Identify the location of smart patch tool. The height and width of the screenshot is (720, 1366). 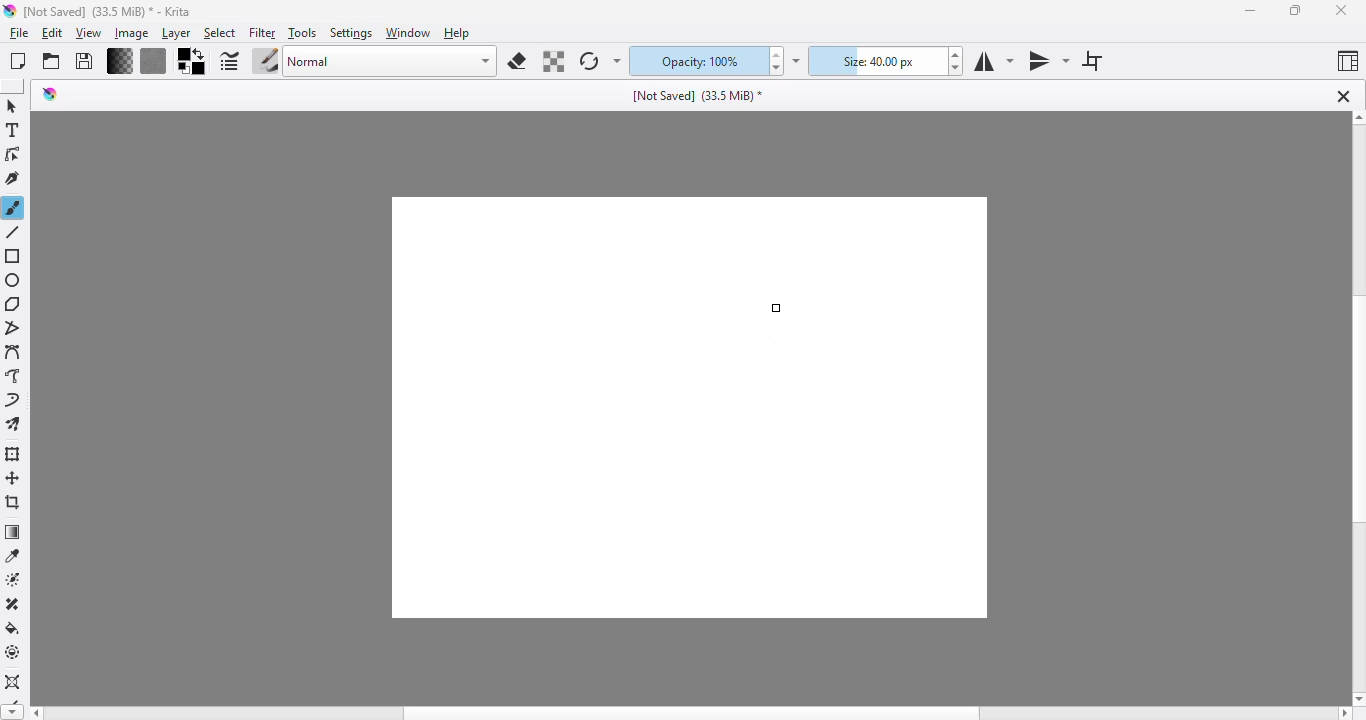
(14, 605).